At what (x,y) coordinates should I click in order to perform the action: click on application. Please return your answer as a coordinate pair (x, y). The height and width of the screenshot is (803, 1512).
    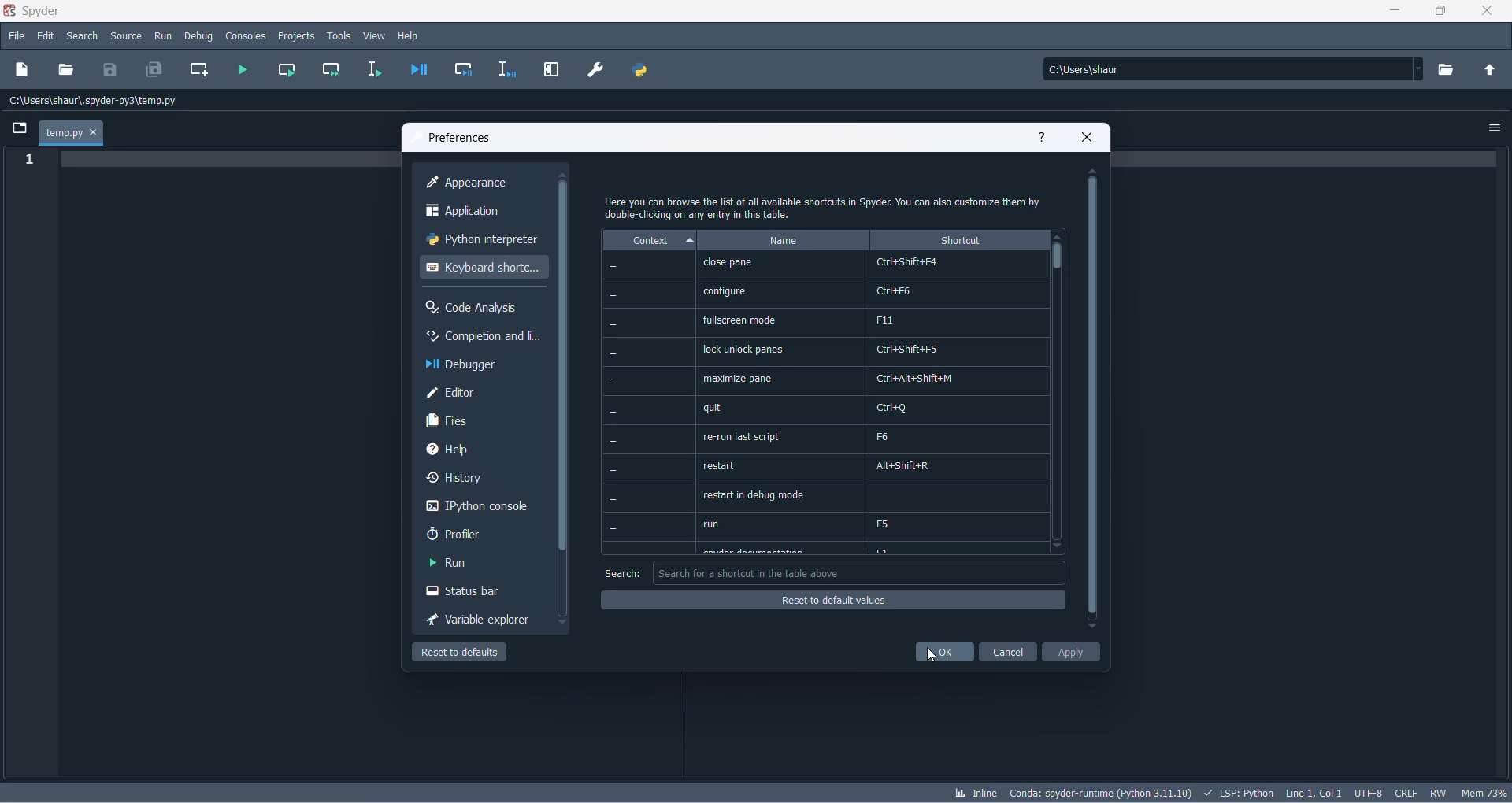
    Looking at the image, I should click on (480, 213).